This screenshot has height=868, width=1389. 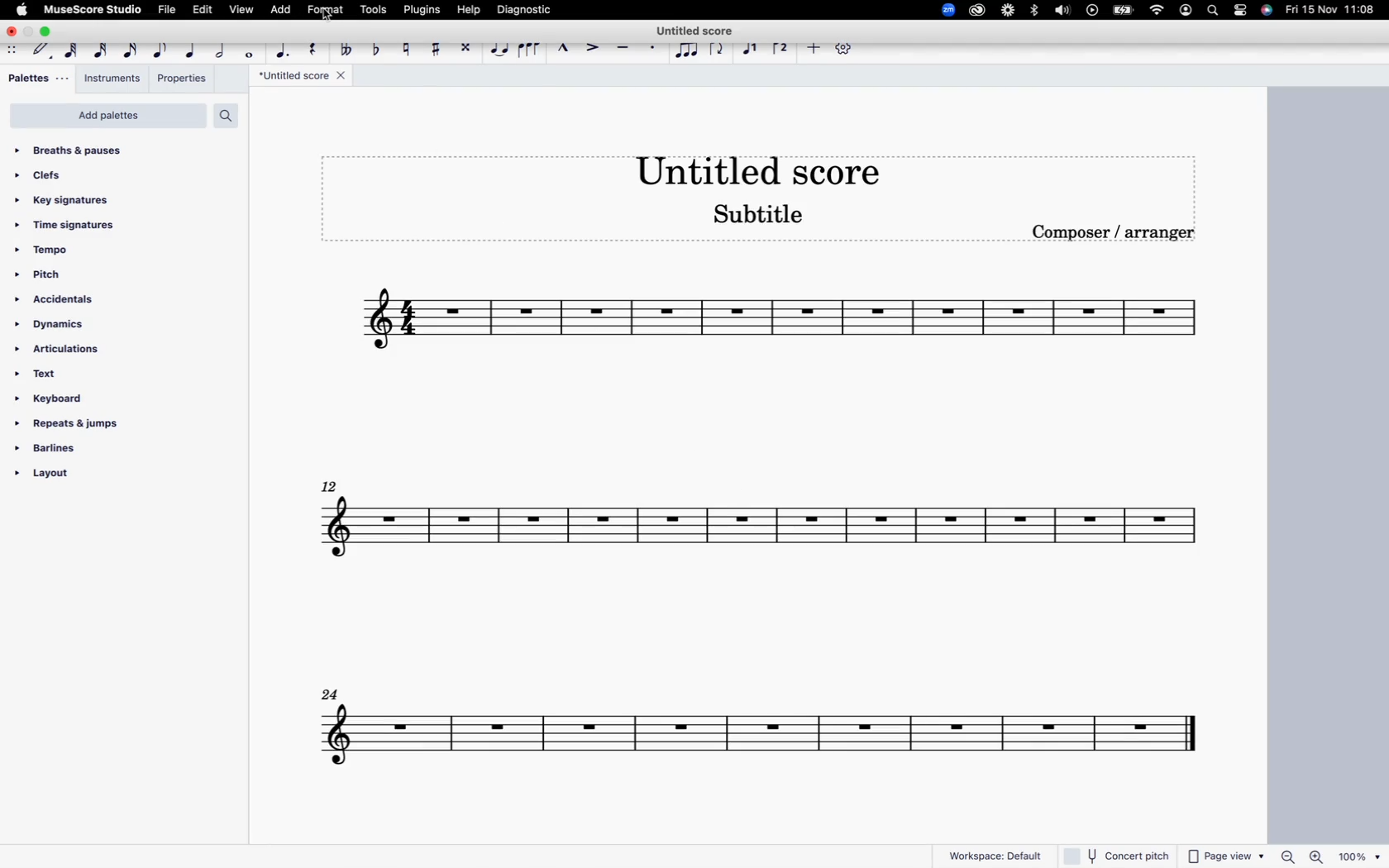 What do you see at coordinates (304, 76) in the screenshot?
I see `score title` at bounding box center [304, 76].